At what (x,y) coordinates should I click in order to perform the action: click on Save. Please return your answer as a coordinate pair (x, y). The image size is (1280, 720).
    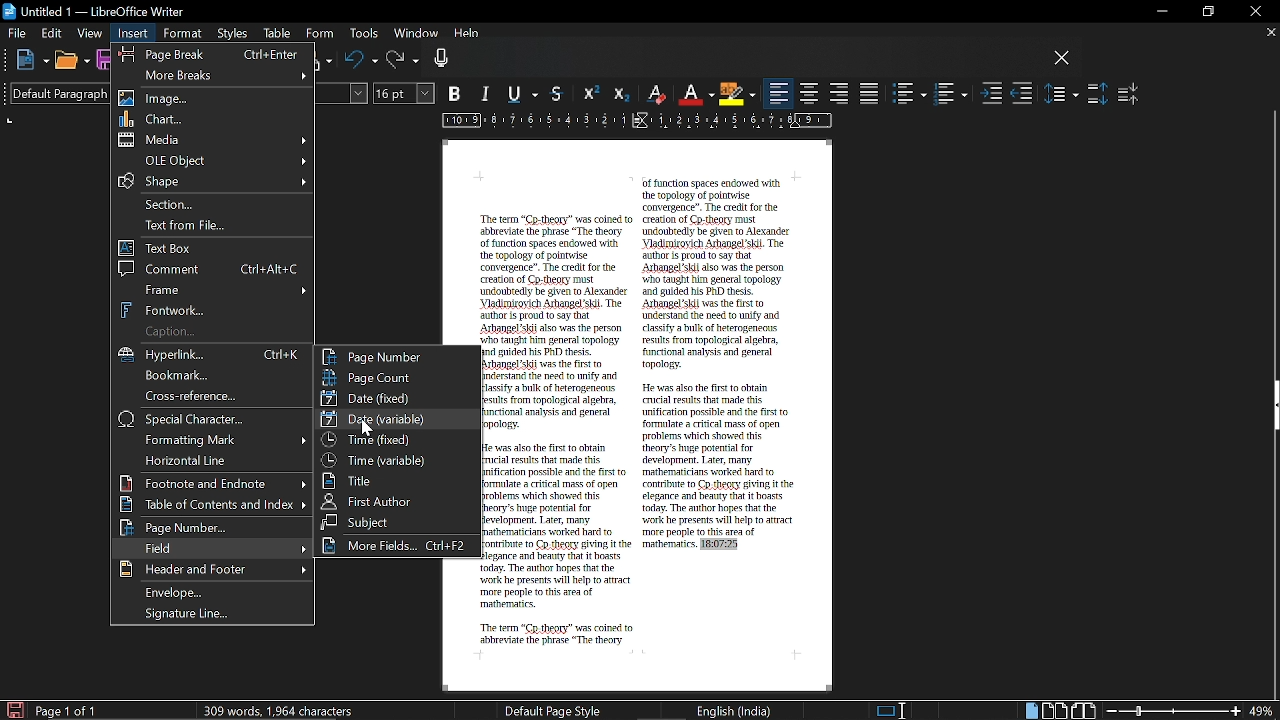
    Looking at the image, I should click on (13, 709).